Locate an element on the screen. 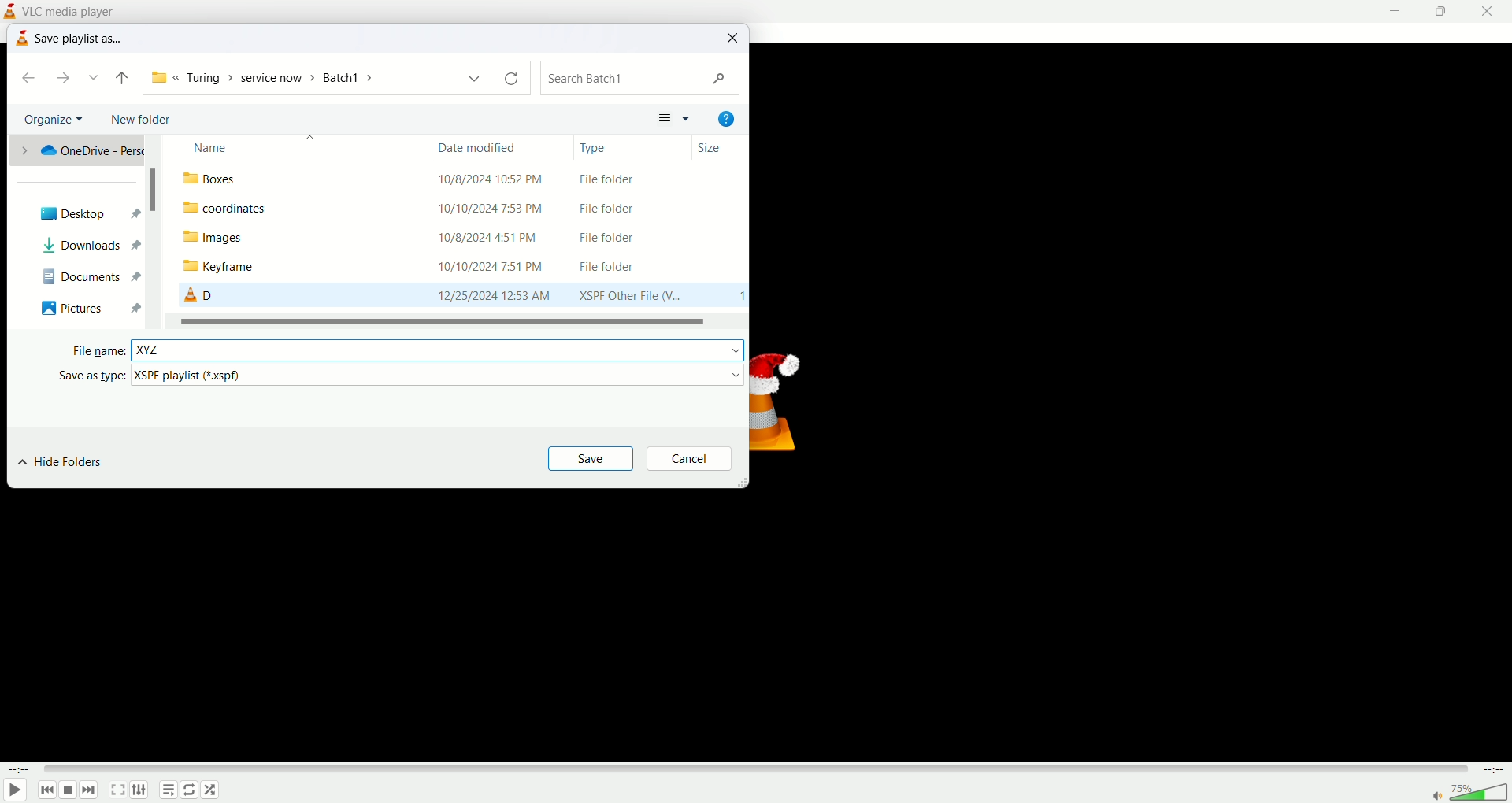 The height and width of the screenshot is (803, 1512). organize is located at coordinates (55, 120).